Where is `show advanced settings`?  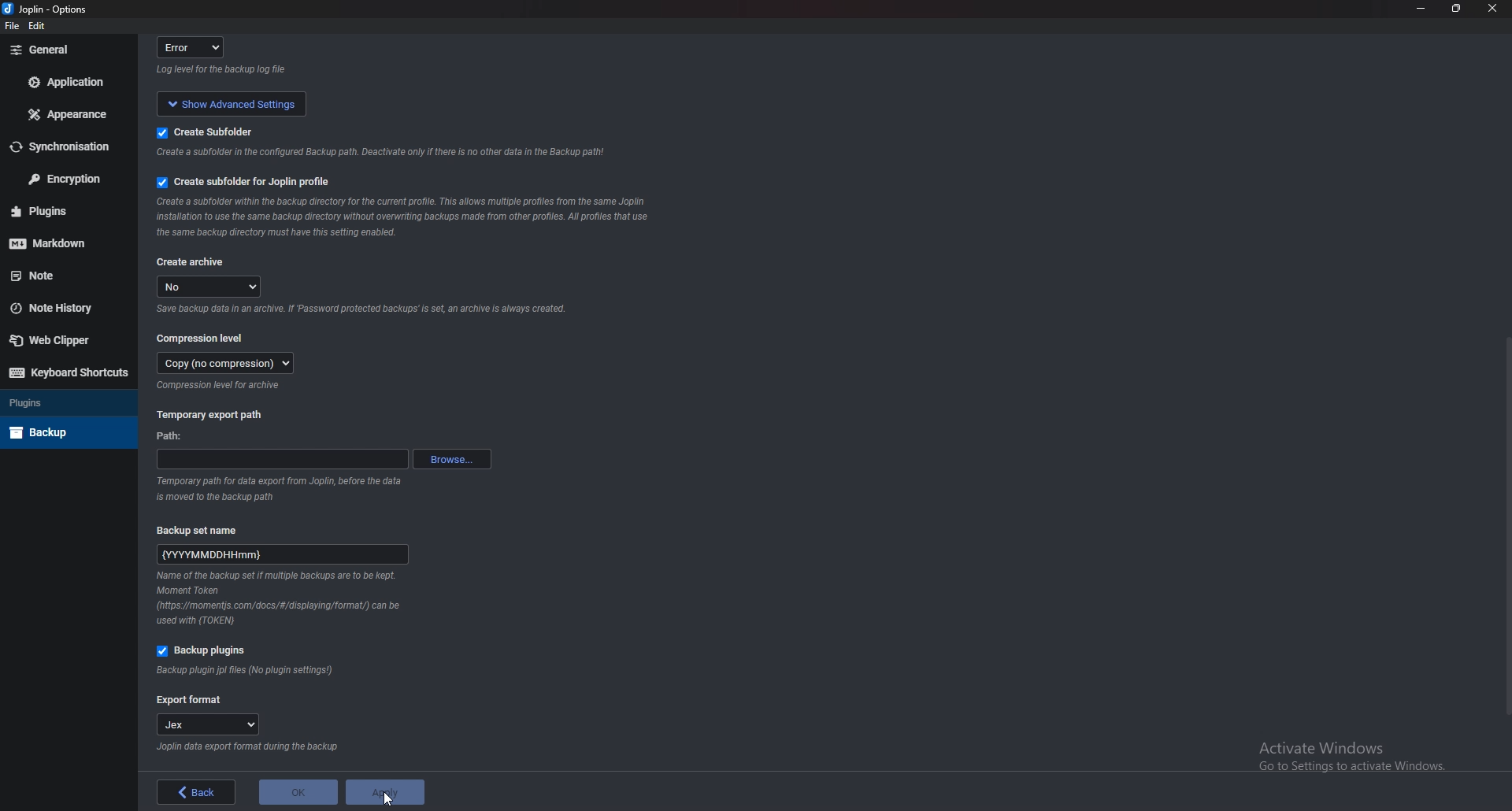
show advanced settings is located at coordinates (228, 102).